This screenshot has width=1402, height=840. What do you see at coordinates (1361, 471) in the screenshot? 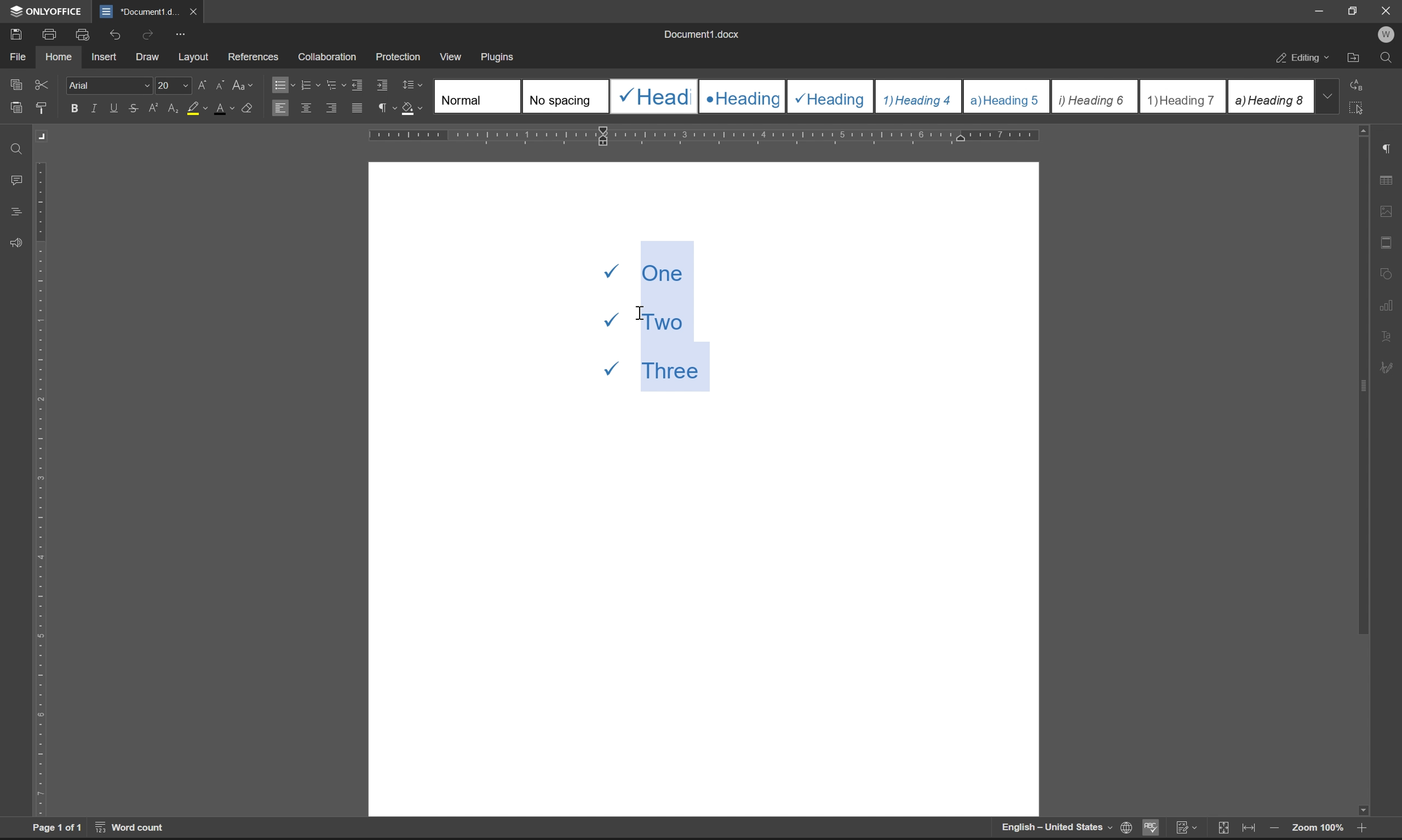
I see `scroll bar` at bounding box center [1361, 471].